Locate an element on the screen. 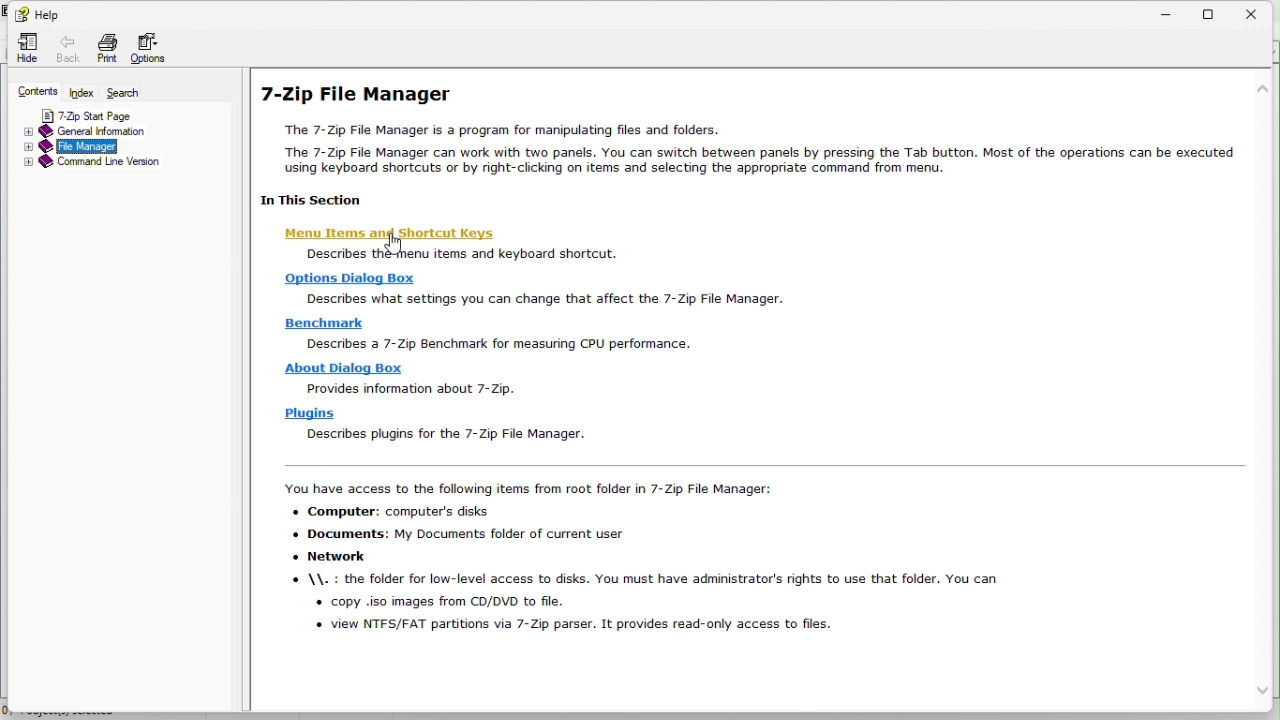  cursor is located at coordinates (393, 243).